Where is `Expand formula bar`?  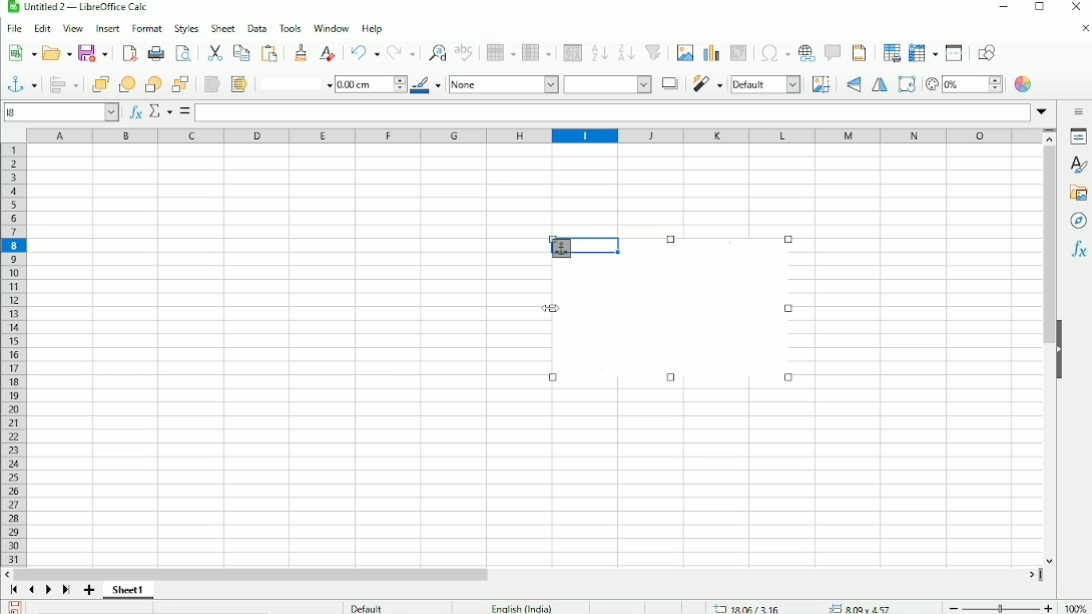 Expand formula bar is located at coordinates (1045, 111).